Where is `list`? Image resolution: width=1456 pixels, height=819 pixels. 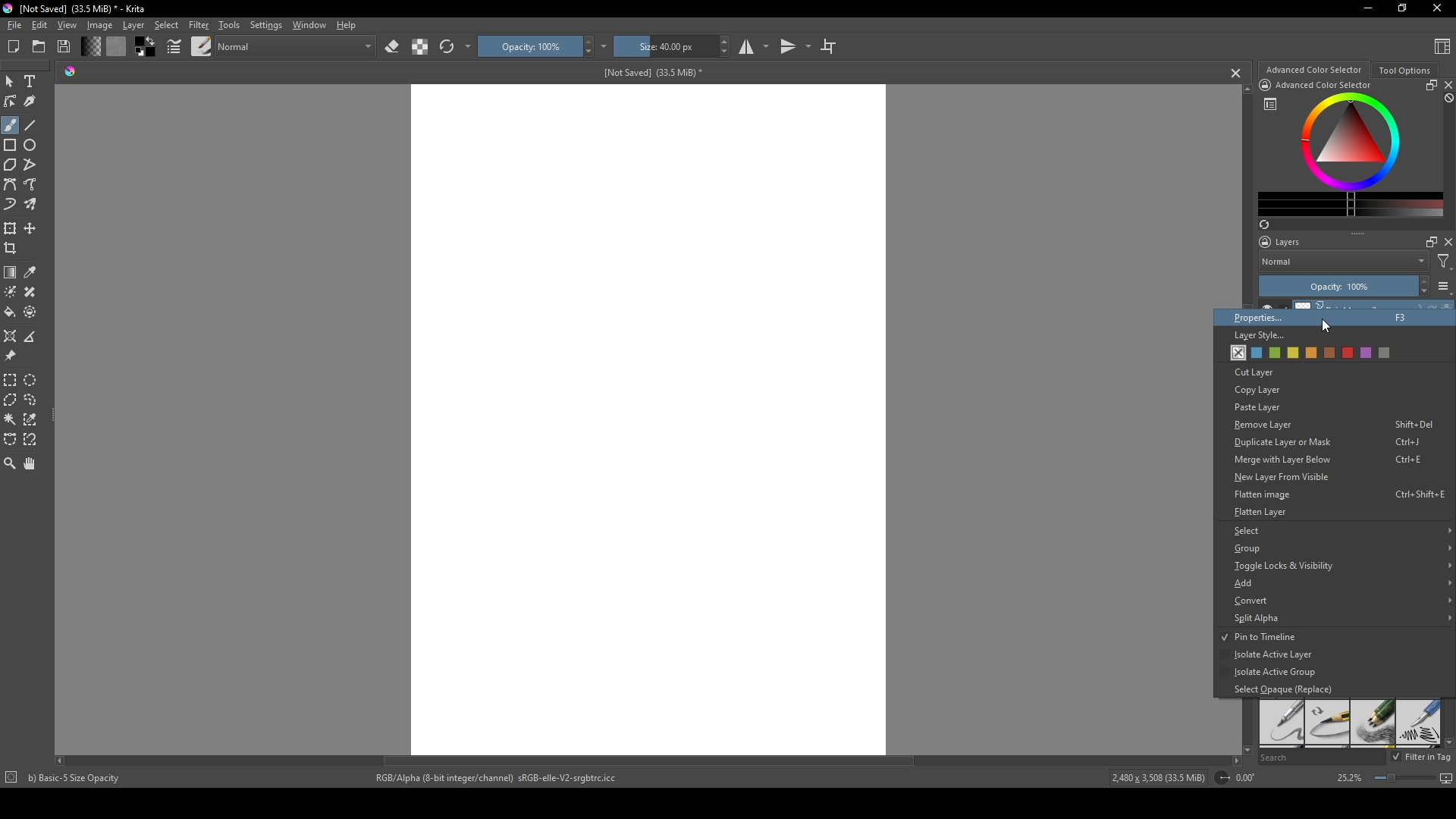 list is located at coordinates (1444, 286).